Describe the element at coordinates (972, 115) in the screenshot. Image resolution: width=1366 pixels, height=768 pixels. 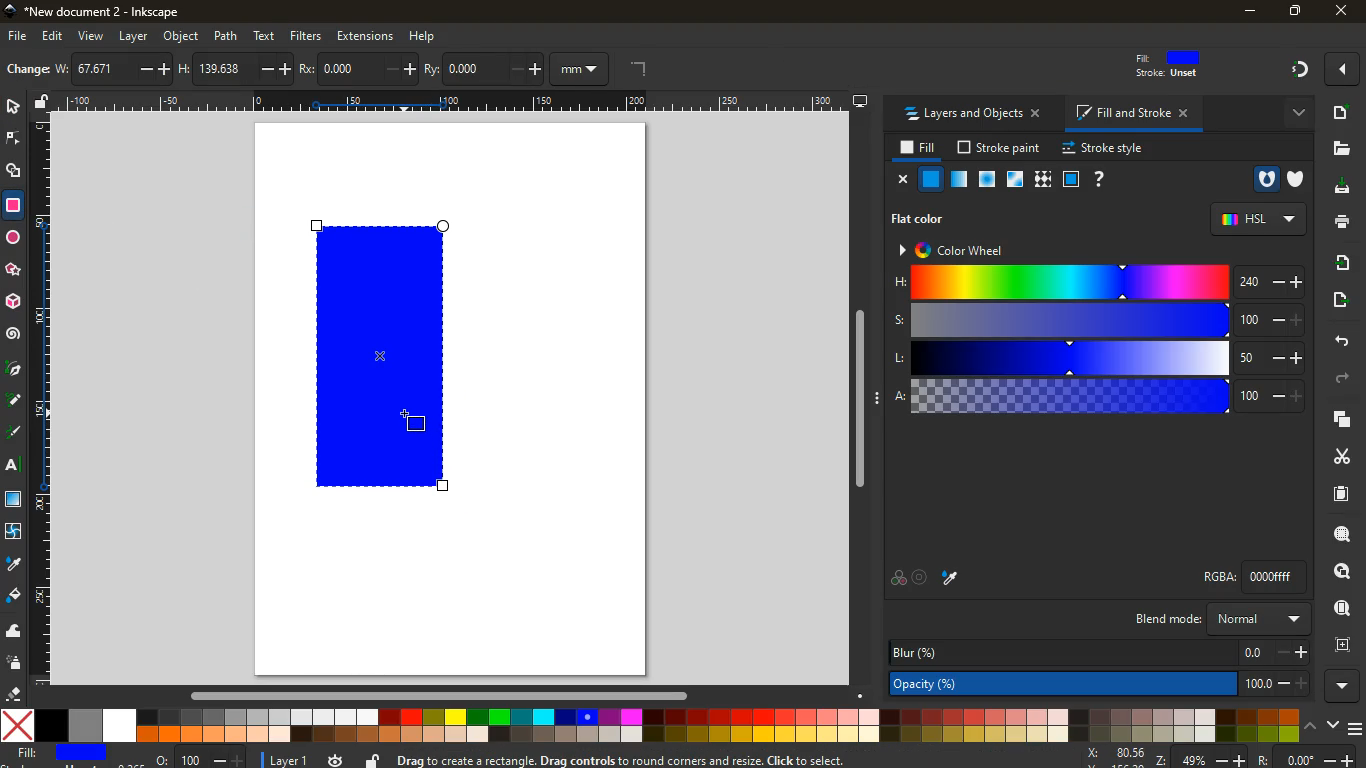
I see `layers and objects` at that location.